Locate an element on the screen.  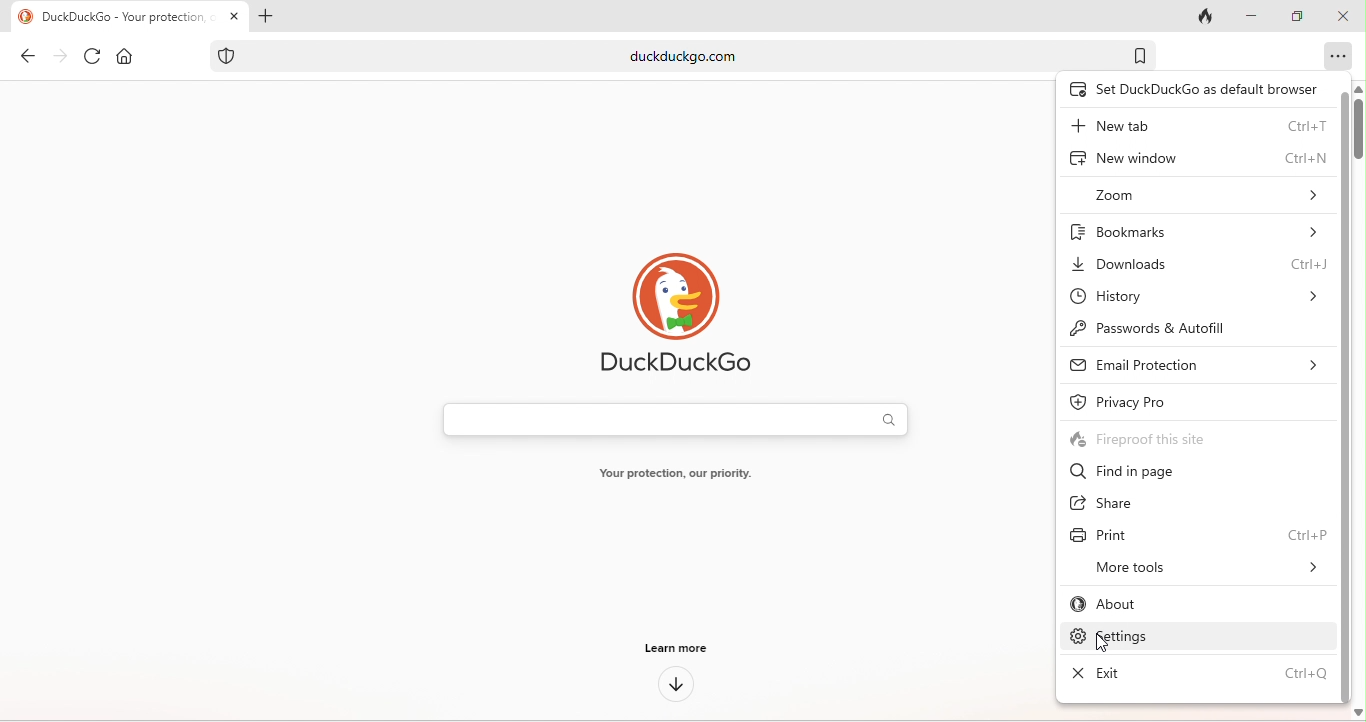
share  is located at coordinates (1151, 500).